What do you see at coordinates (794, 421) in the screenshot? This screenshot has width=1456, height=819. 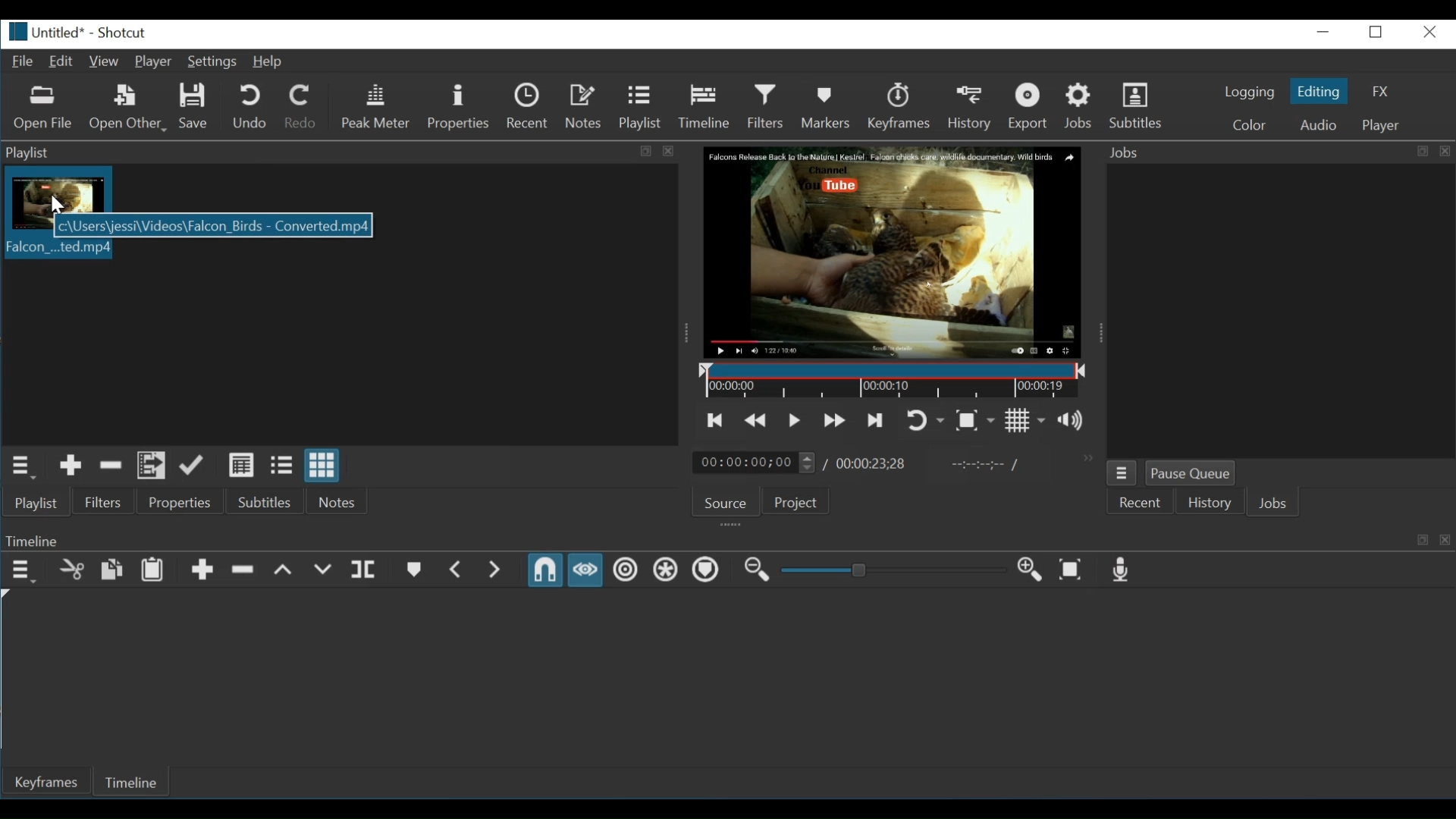 I see `Toggle play or pause` at bounding box center [794, 421].